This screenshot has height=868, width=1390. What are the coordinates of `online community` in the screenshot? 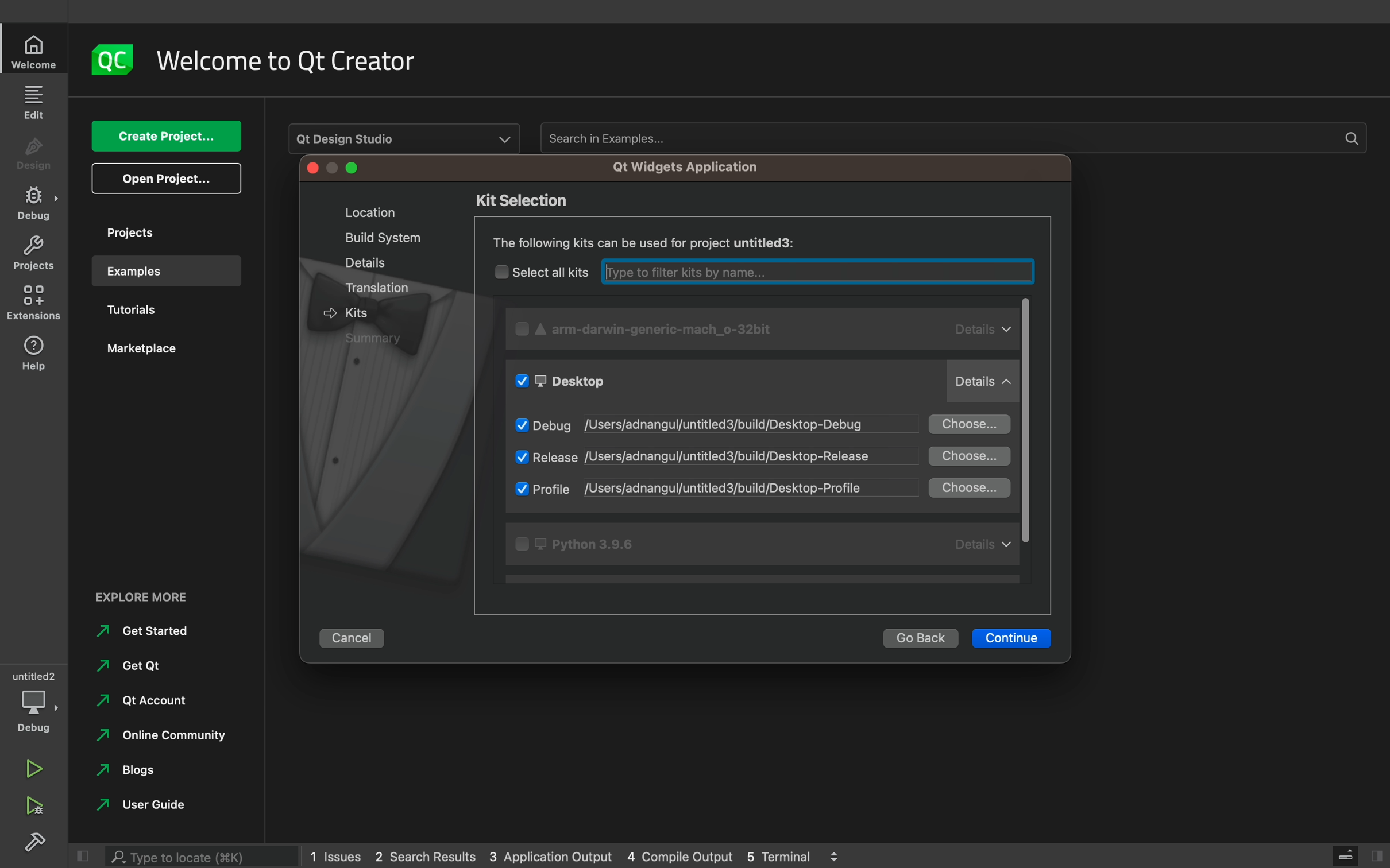 It's located at (162, 739).